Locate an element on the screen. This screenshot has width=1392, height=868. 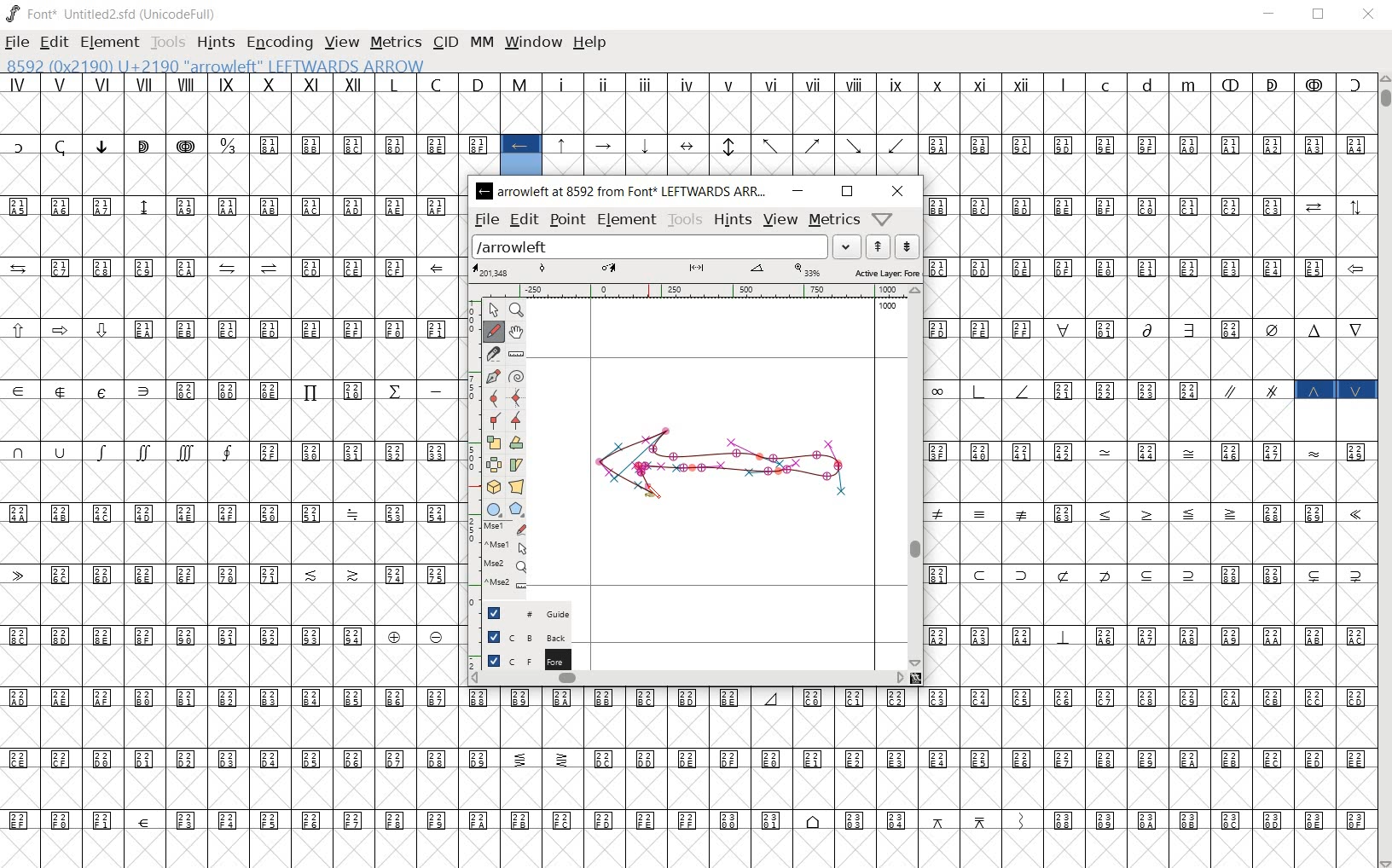
edit is located at coordinates (53, 43).